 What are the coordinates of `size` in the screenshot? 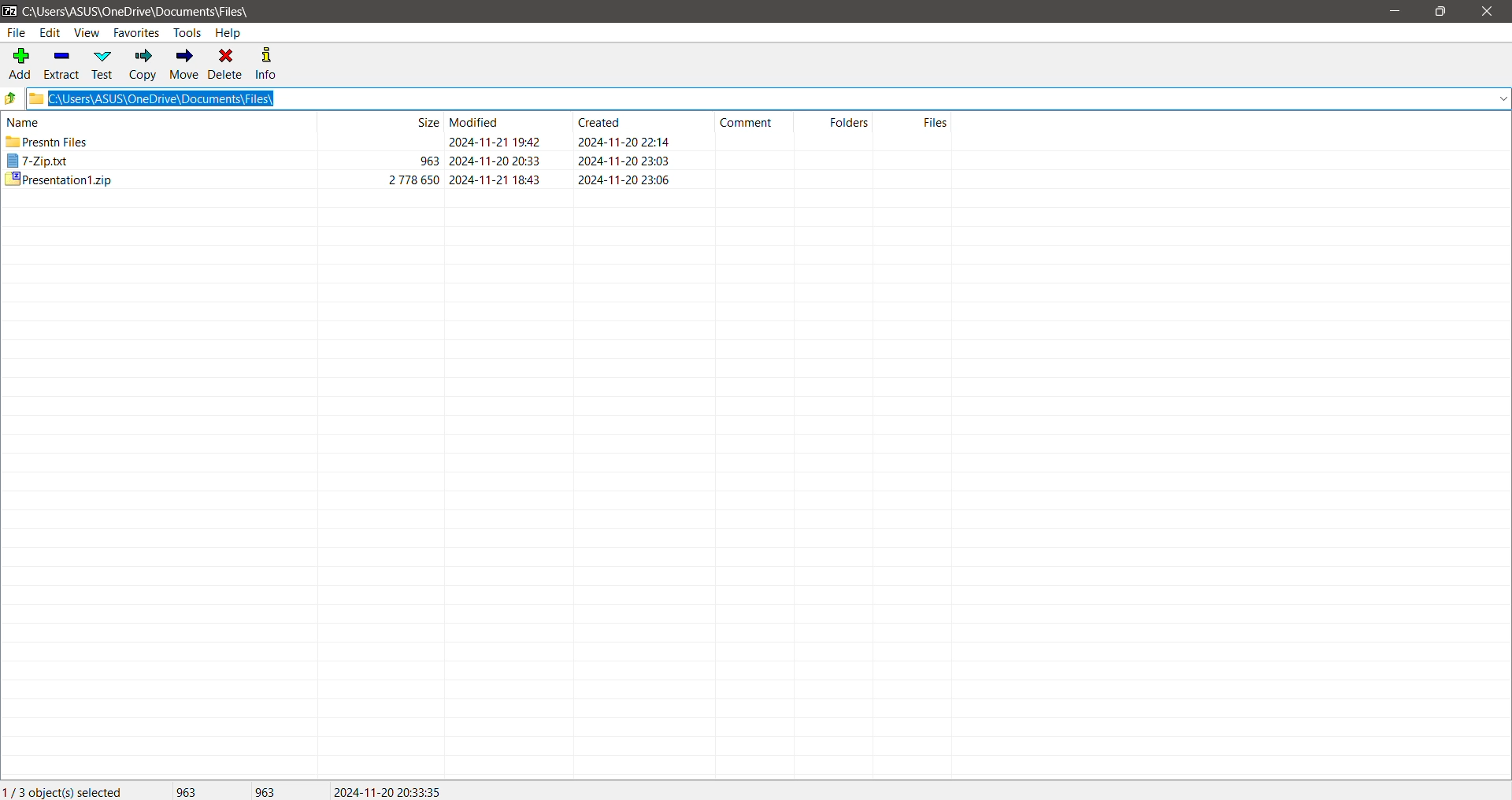 It's located at (428, 122).